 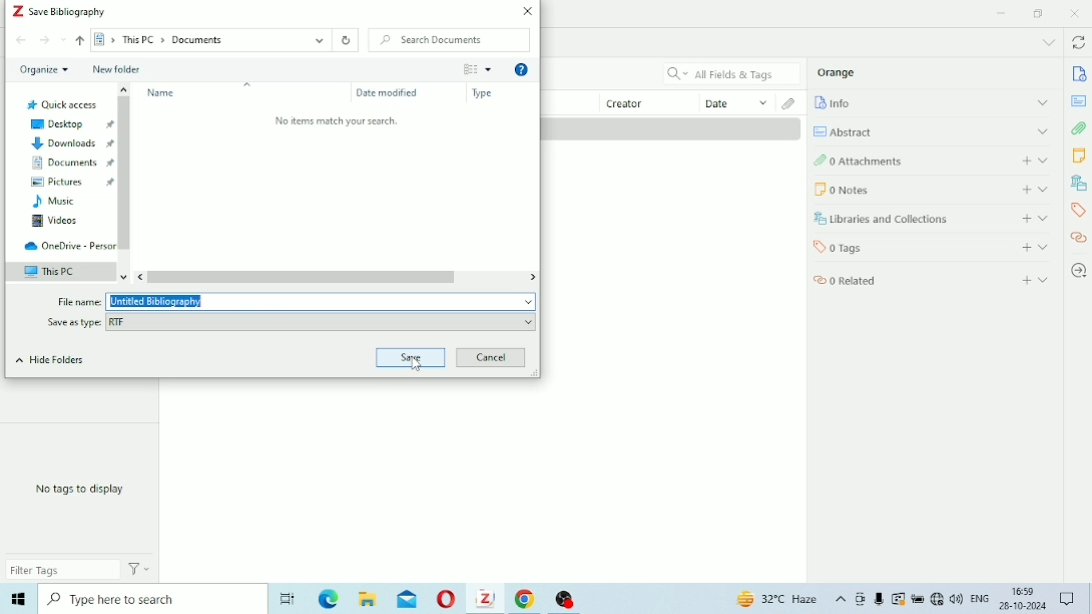 I want to click on RTF, so click(x=323, y=322).